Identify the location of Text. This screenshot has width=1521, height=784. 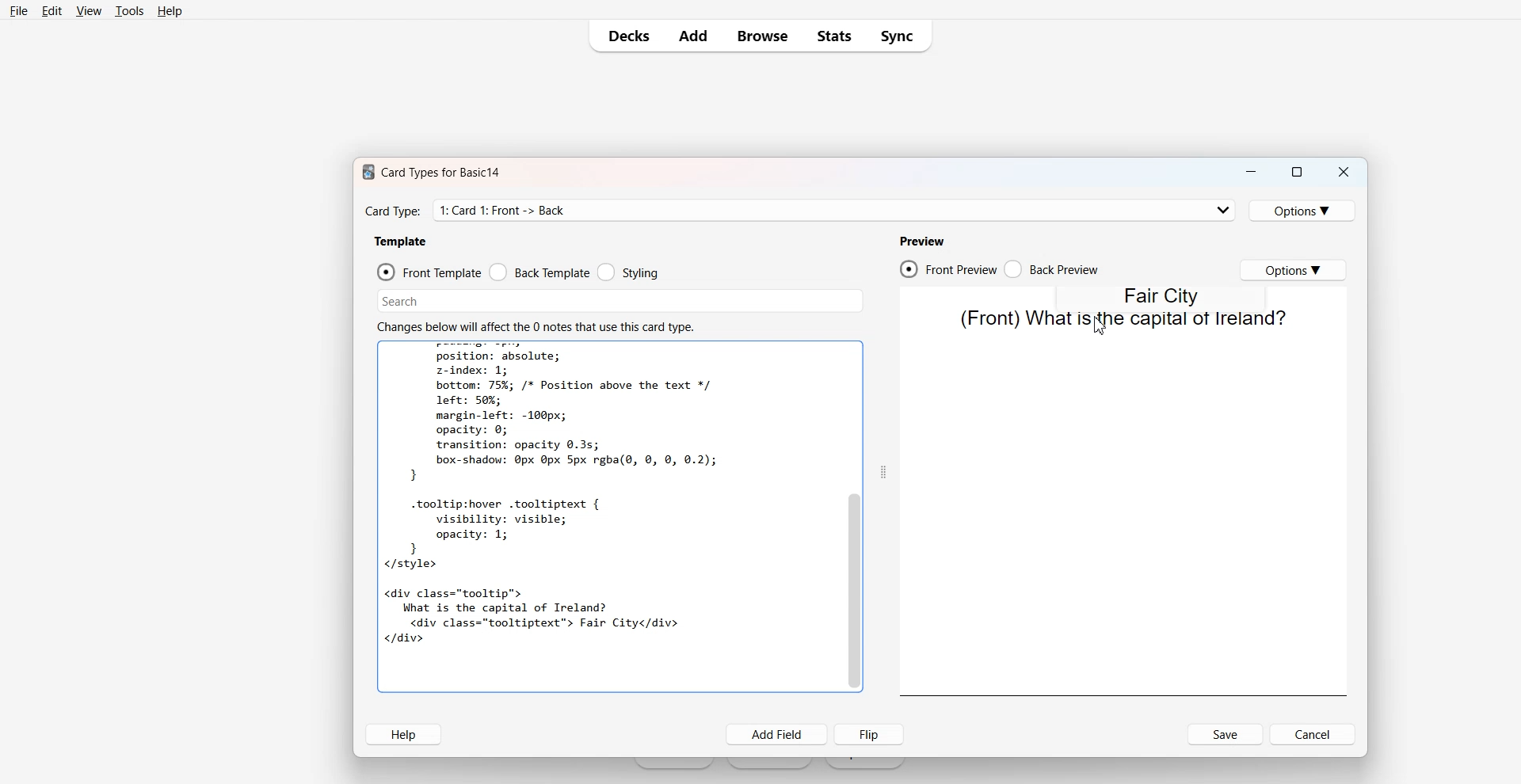
(1163, 295).